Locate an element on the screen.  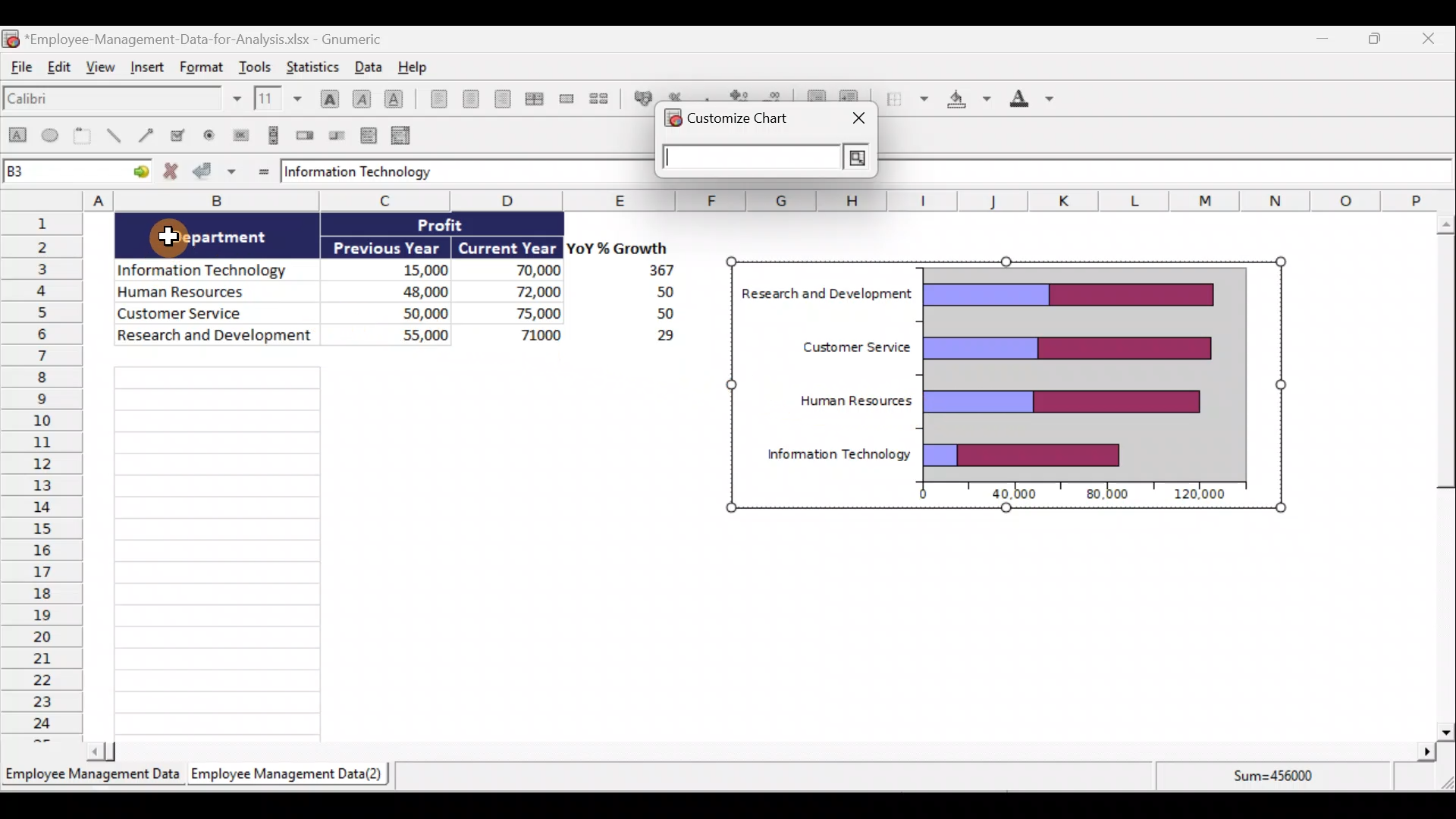
Decrease decimals is located at coordinates (777, 96).